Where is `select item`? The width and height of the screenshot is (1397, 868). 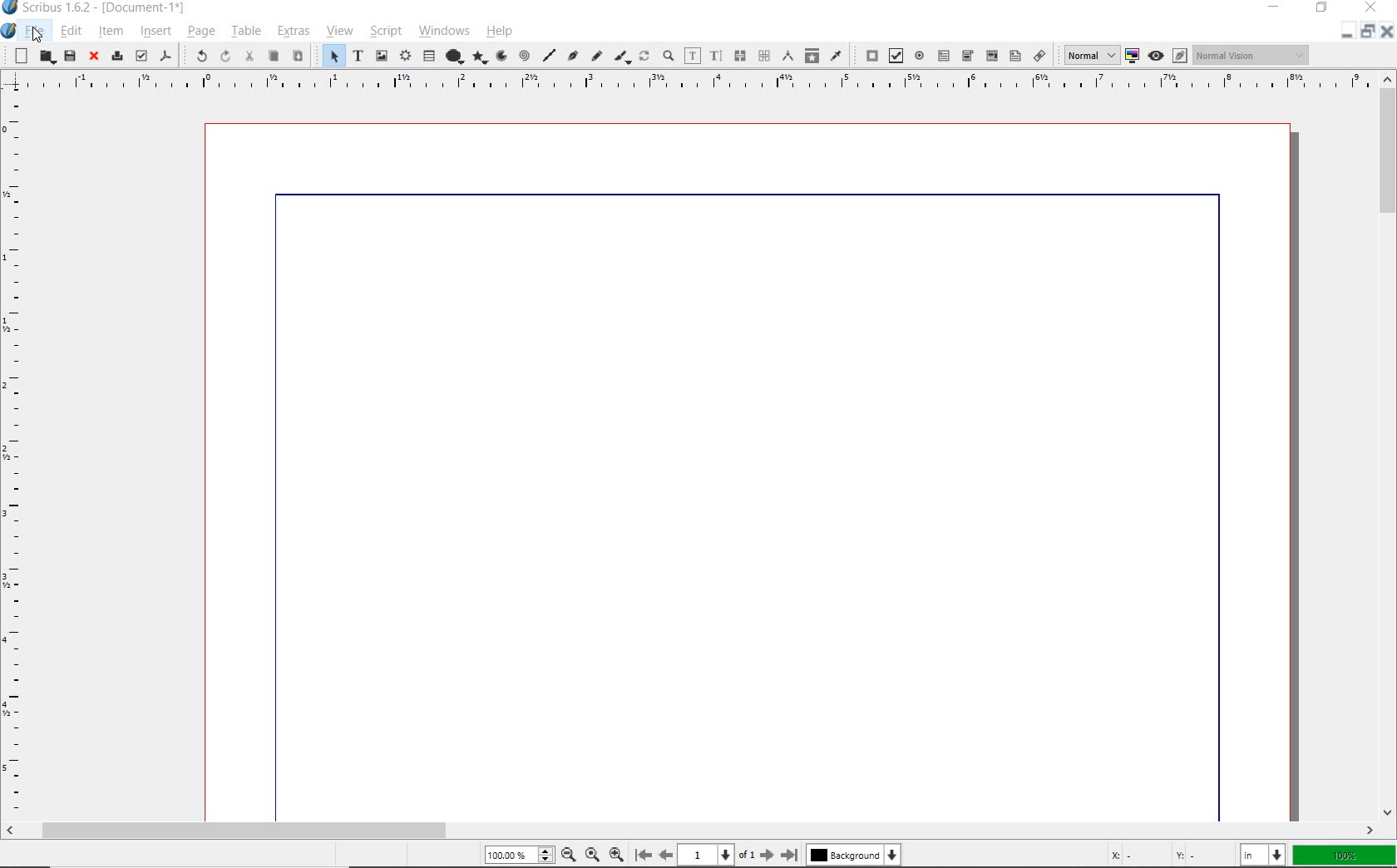 select item is located at coordinates (329, 56).